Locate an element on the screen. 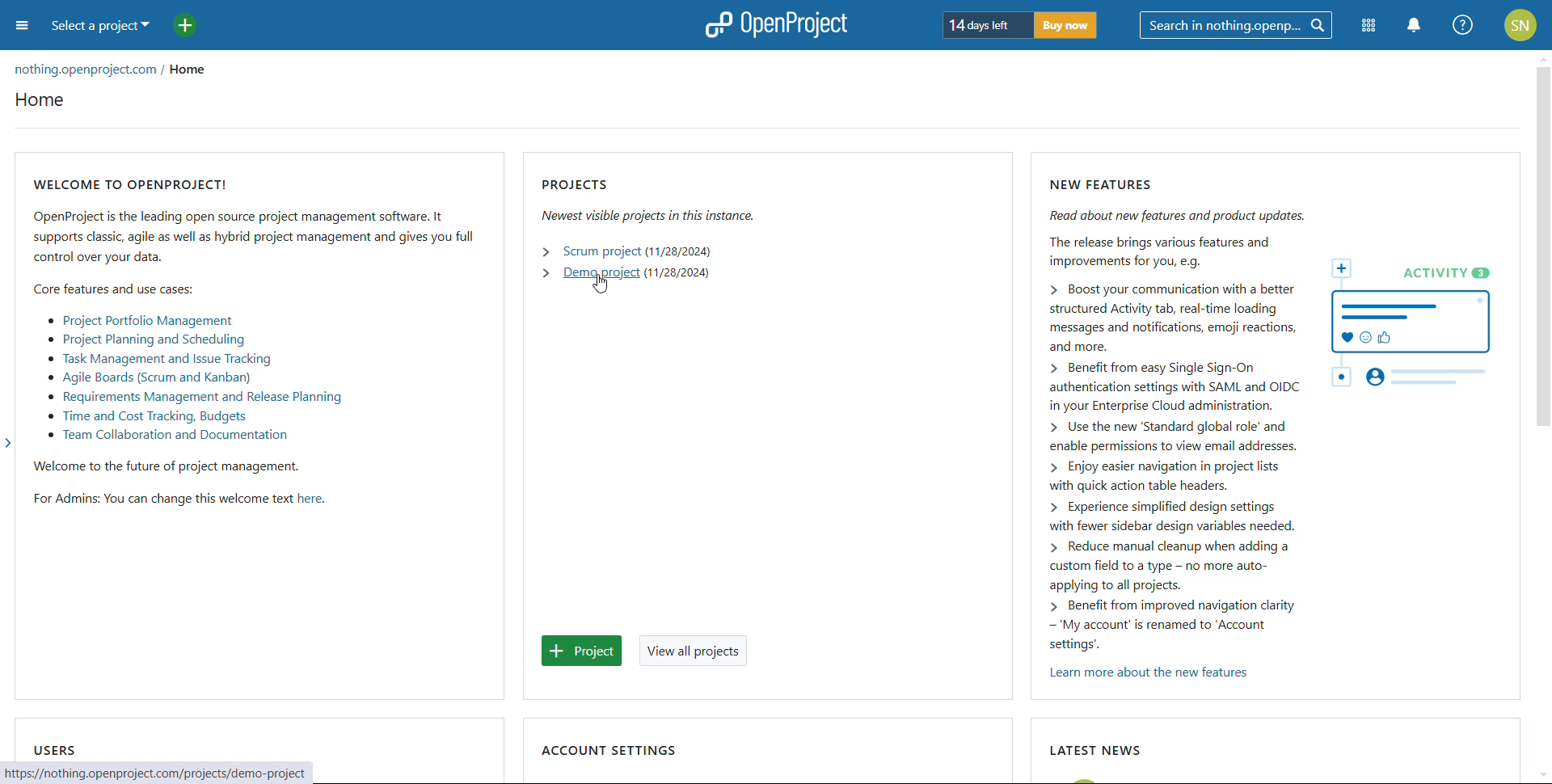 The height and width of the screenshot is (784, 1552). Experience simplified design settings with fewer sidebar design variables needed. is located at coordinates (1169, 517).